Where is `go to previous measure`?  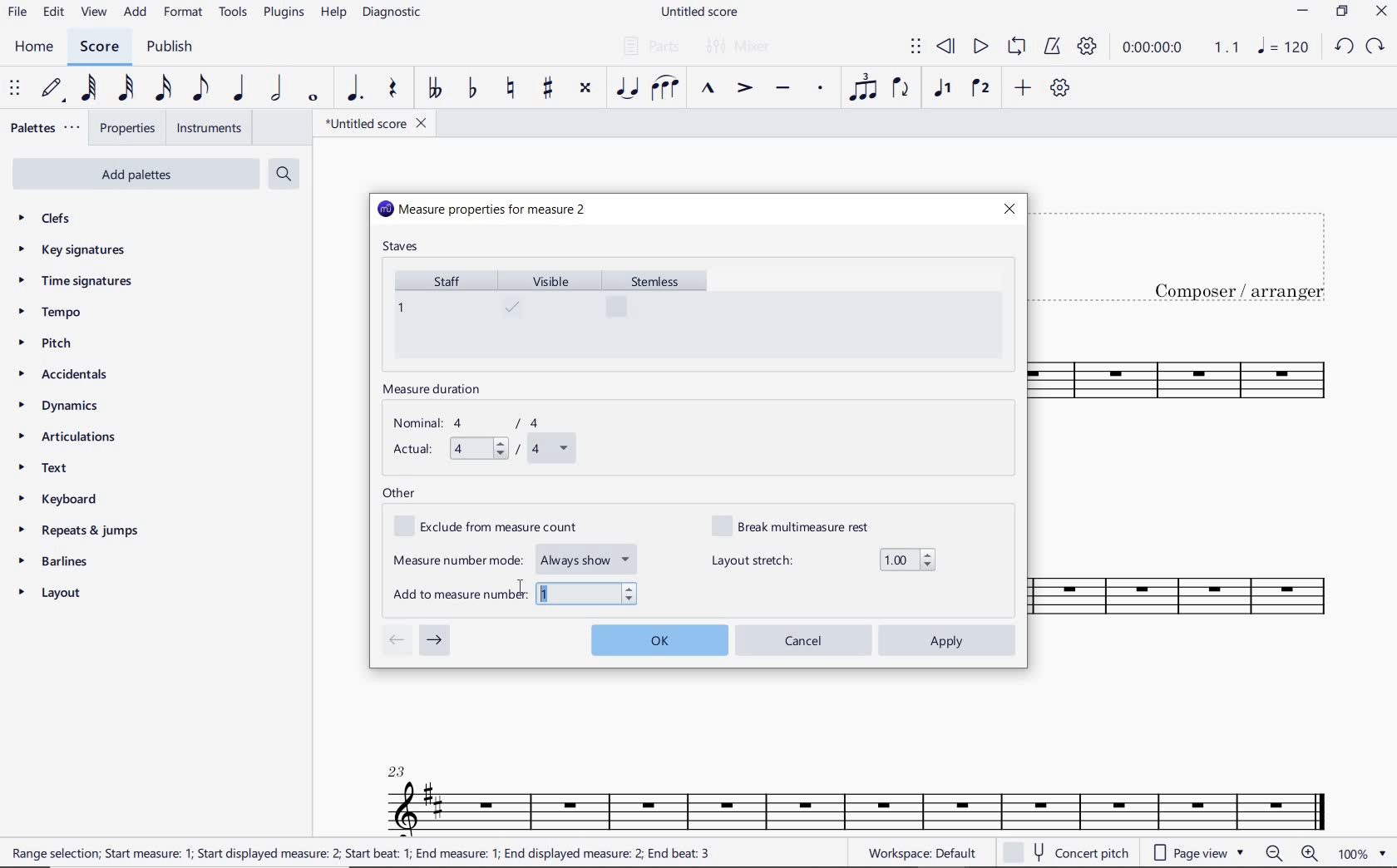 go to previous measure is located at coordinates (396, 641).